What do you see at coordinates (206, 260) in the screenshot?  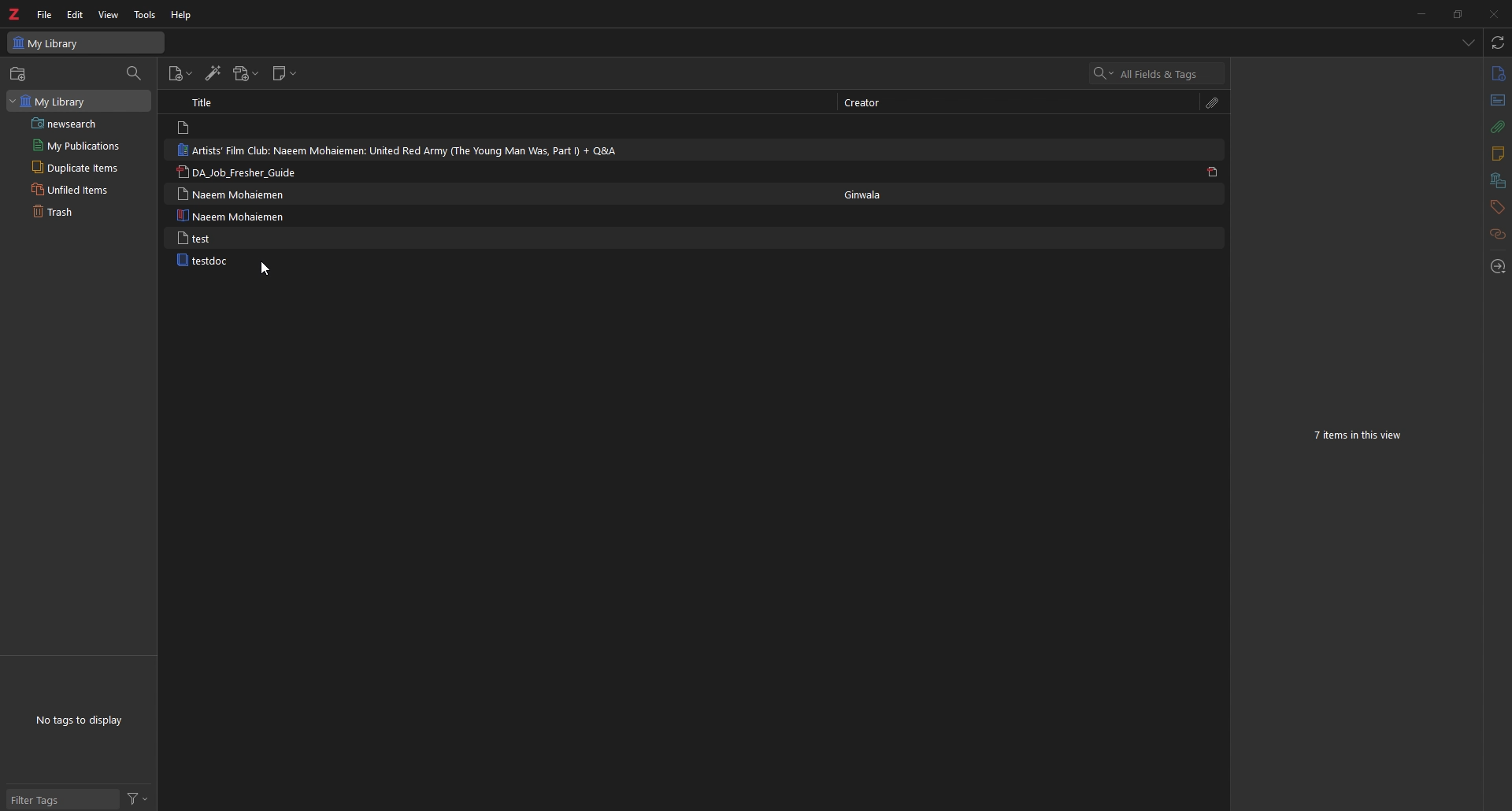 I see `testdoc` at bounding box center [206, 260].